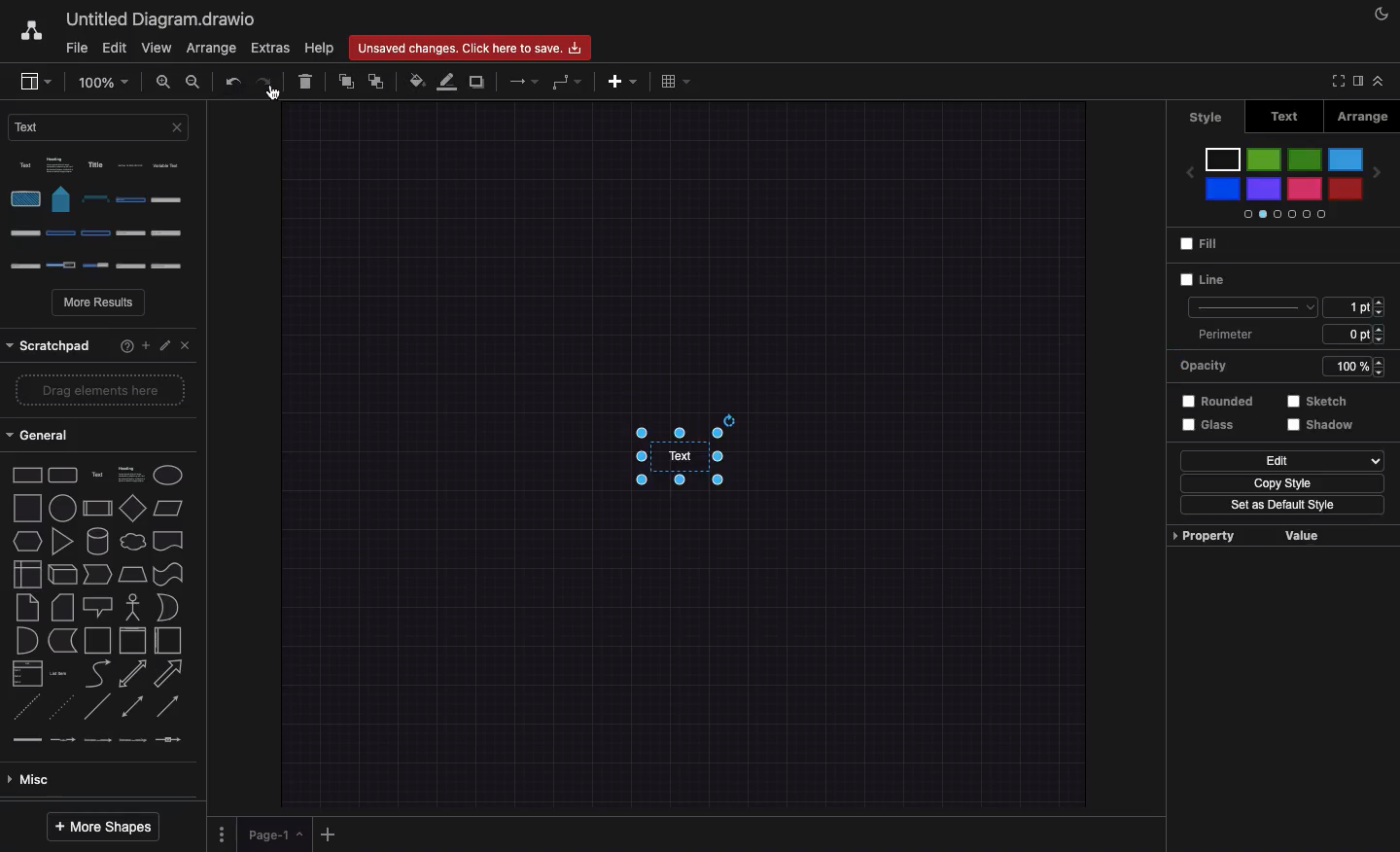 The width and height of the screenshot is (1400, 852). What do you see at coordinates (448, 83) in the screenshot?
I see `Line color` at bounding box center [448, 83].